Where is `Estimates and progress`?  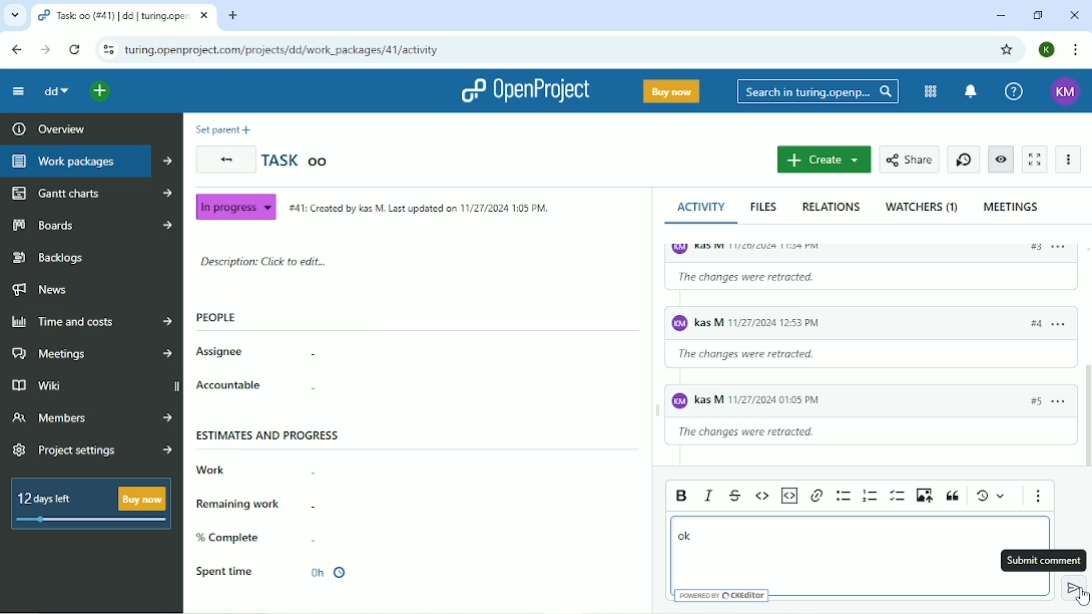 Estimates and progress is located at coordinates (268, 434).